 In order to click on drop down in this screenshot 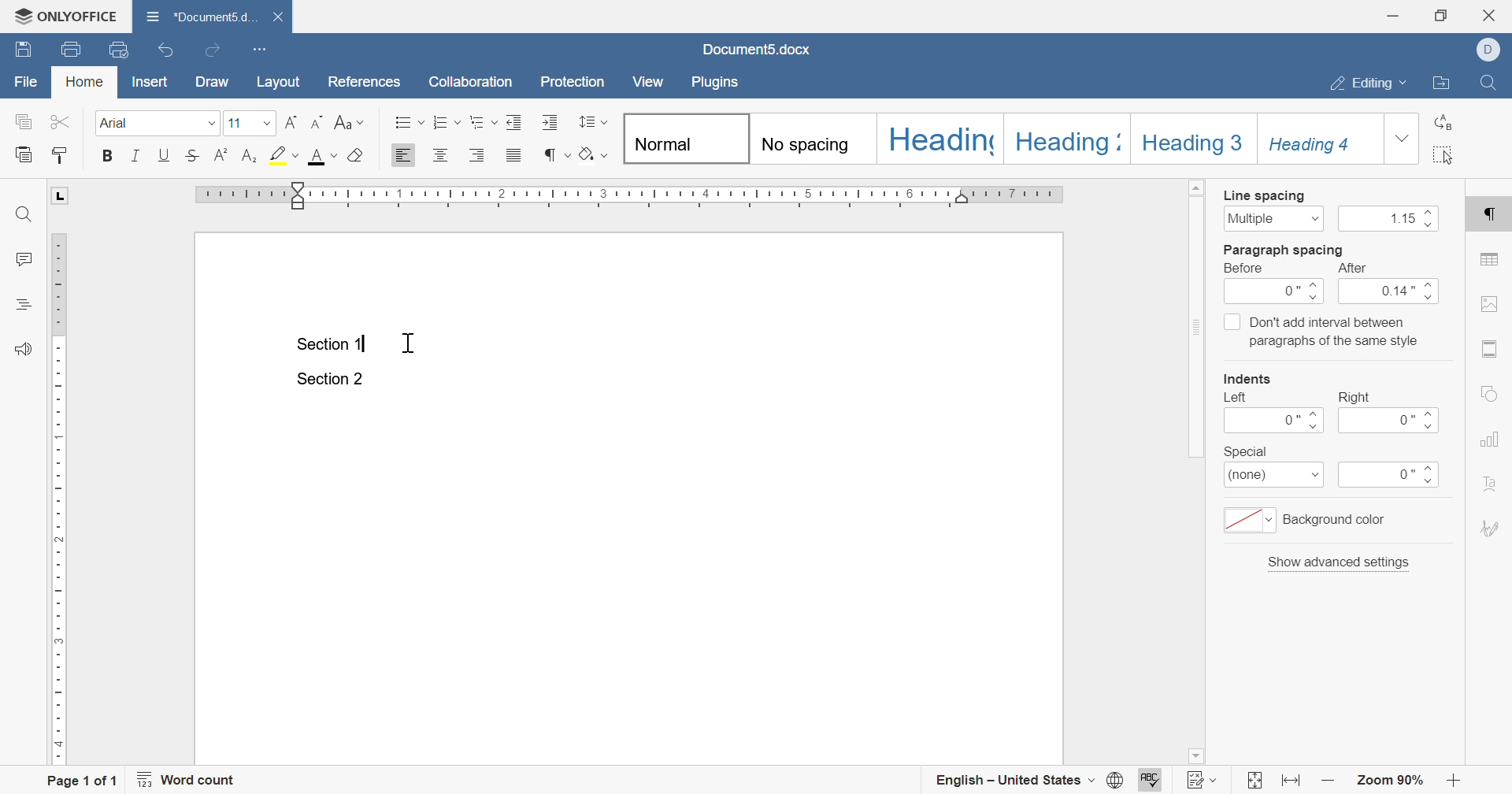, I will do `click(1402, 138)`.